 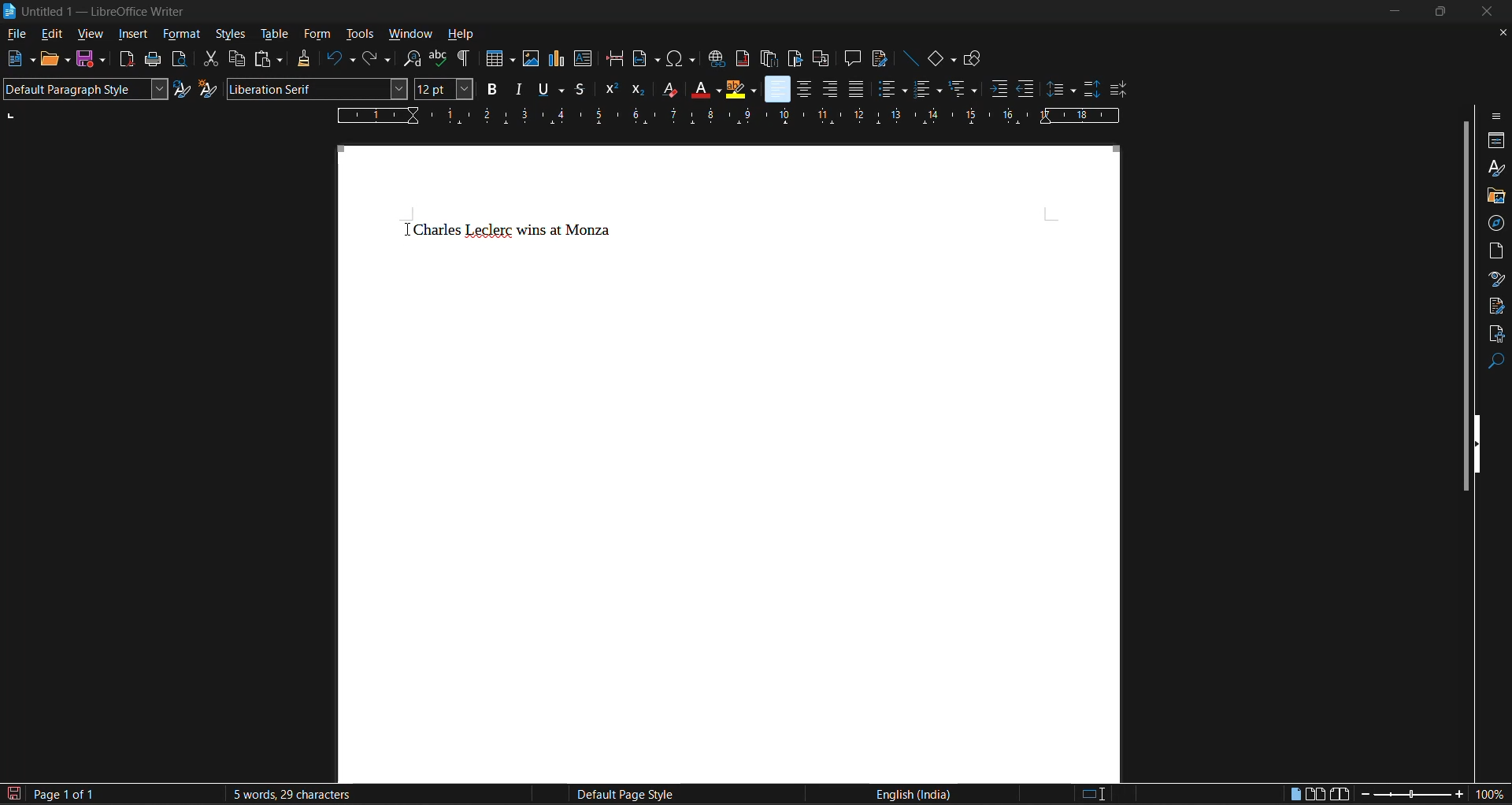 I want to click on toggle unordered list, so click(x=891, y=87).